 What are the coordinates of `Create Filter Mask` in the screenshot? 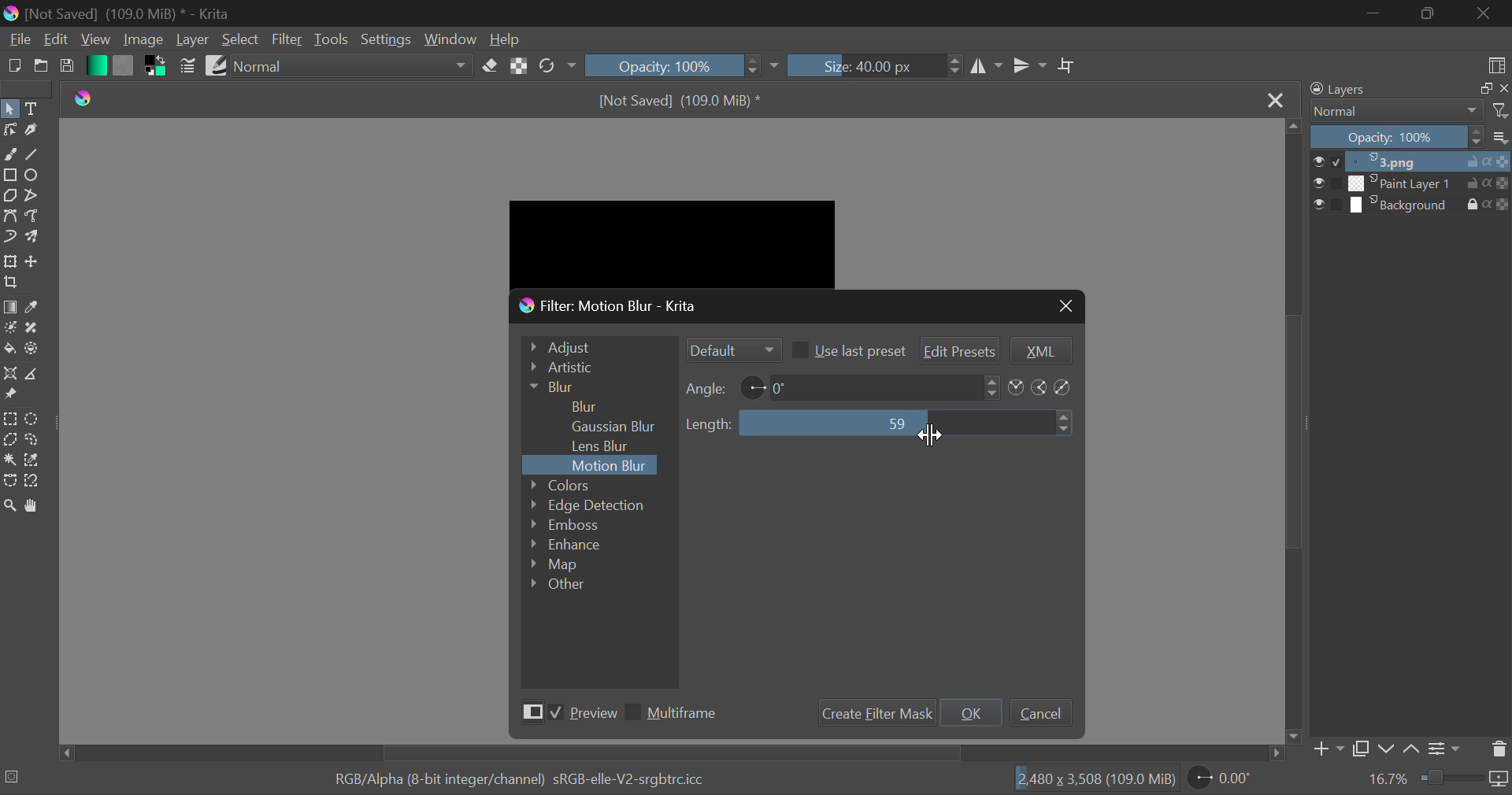 It's located at (873, 713).